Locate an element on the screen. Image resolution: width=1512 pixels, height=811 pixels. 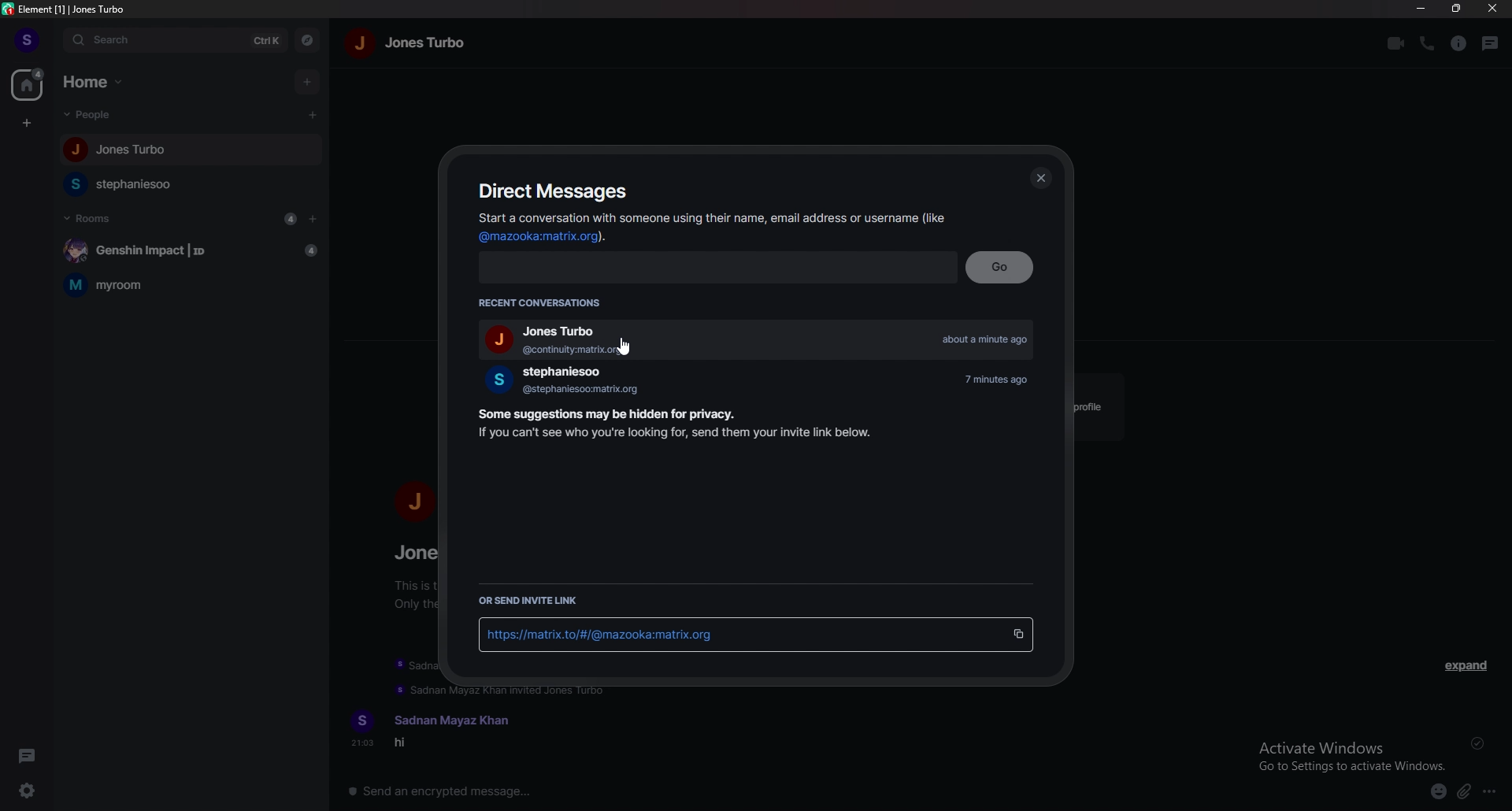
send an encrypted message is located at coordinates (451, 791).